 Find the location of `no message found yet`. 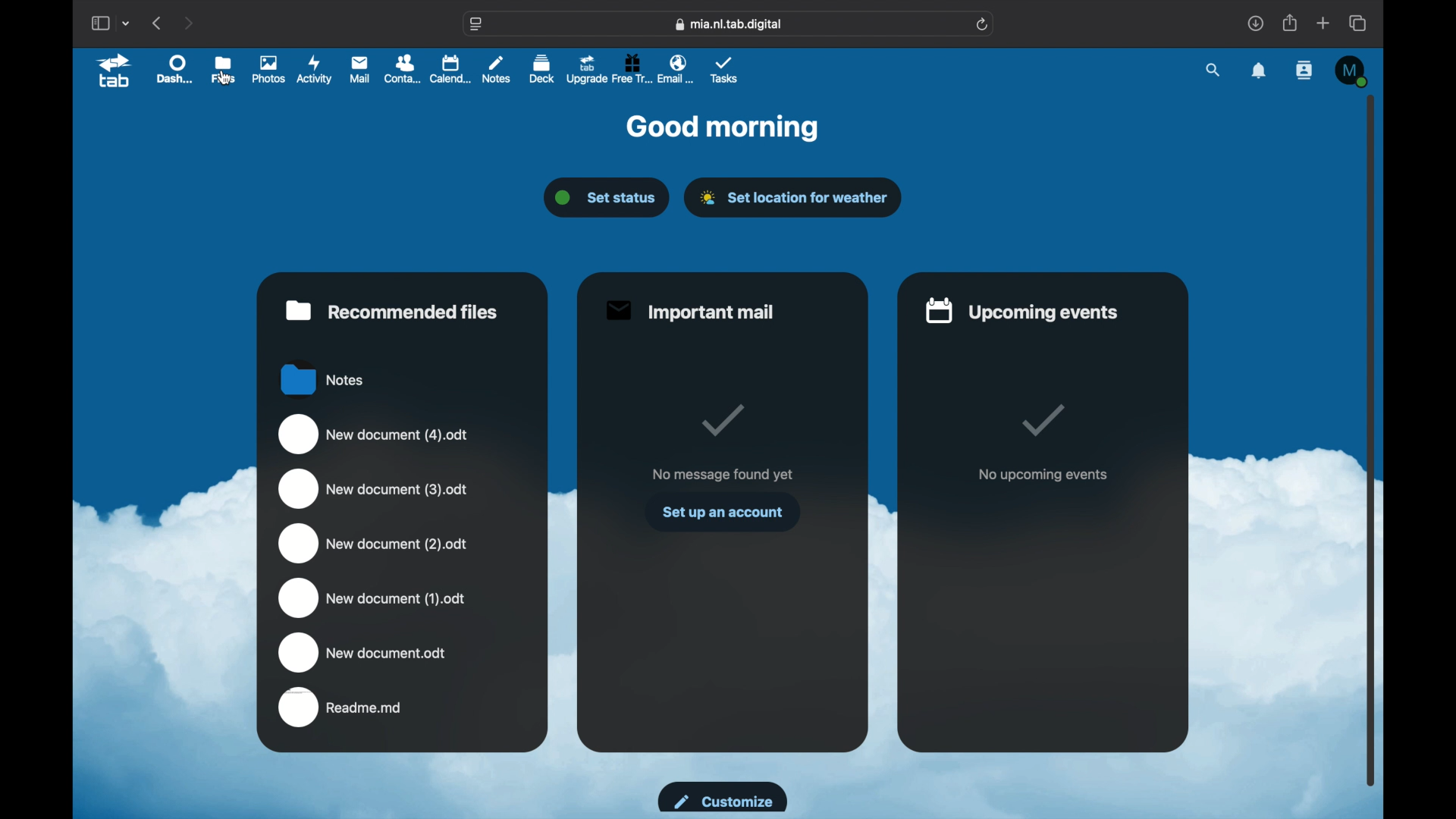

no message found yet is located at coordinates (723, 474).